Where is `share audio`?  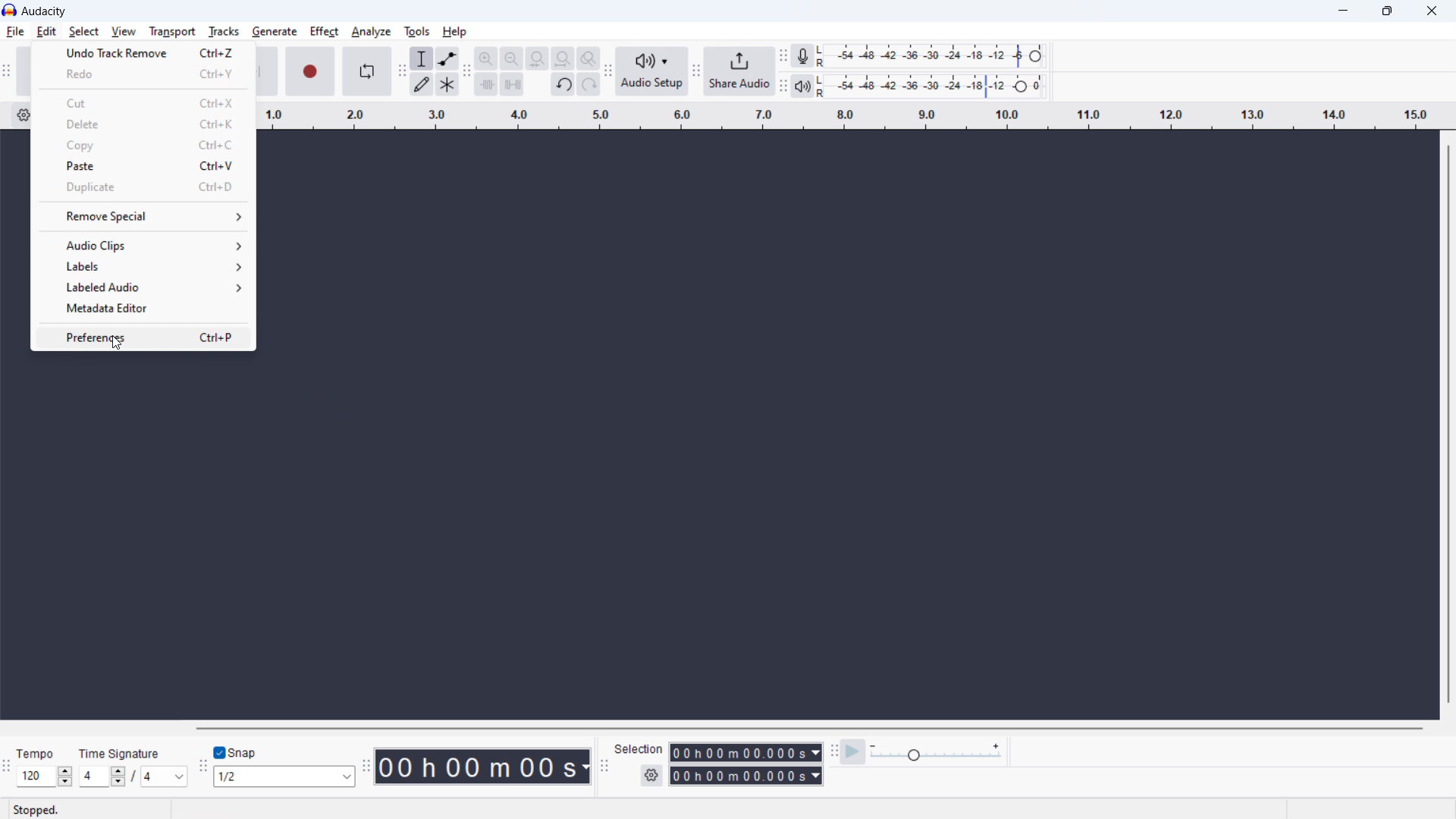 share audio is located at coordinates (740, 71).